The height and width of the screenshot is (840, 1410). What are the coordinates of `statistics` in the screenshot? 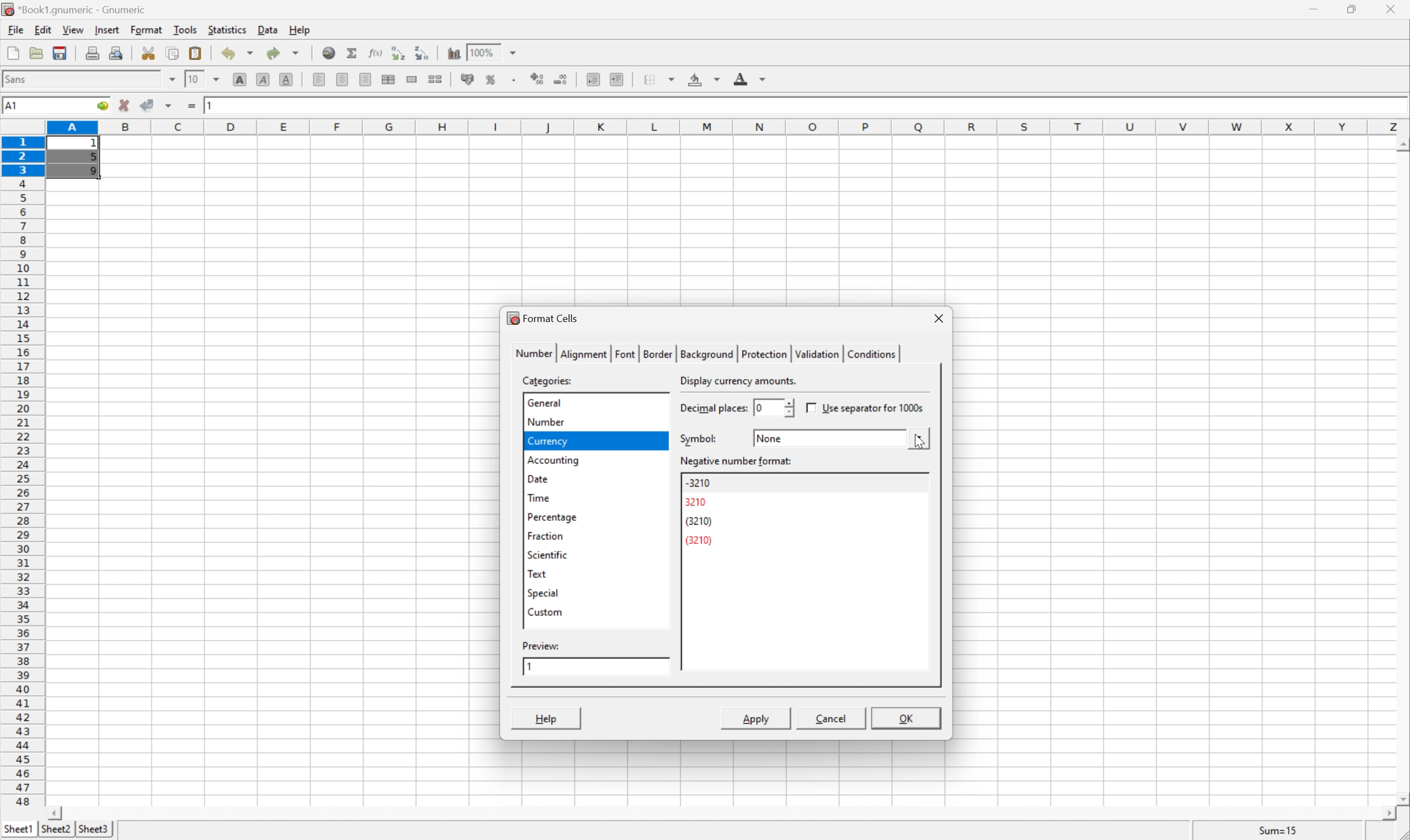 It's located at (226, 29).